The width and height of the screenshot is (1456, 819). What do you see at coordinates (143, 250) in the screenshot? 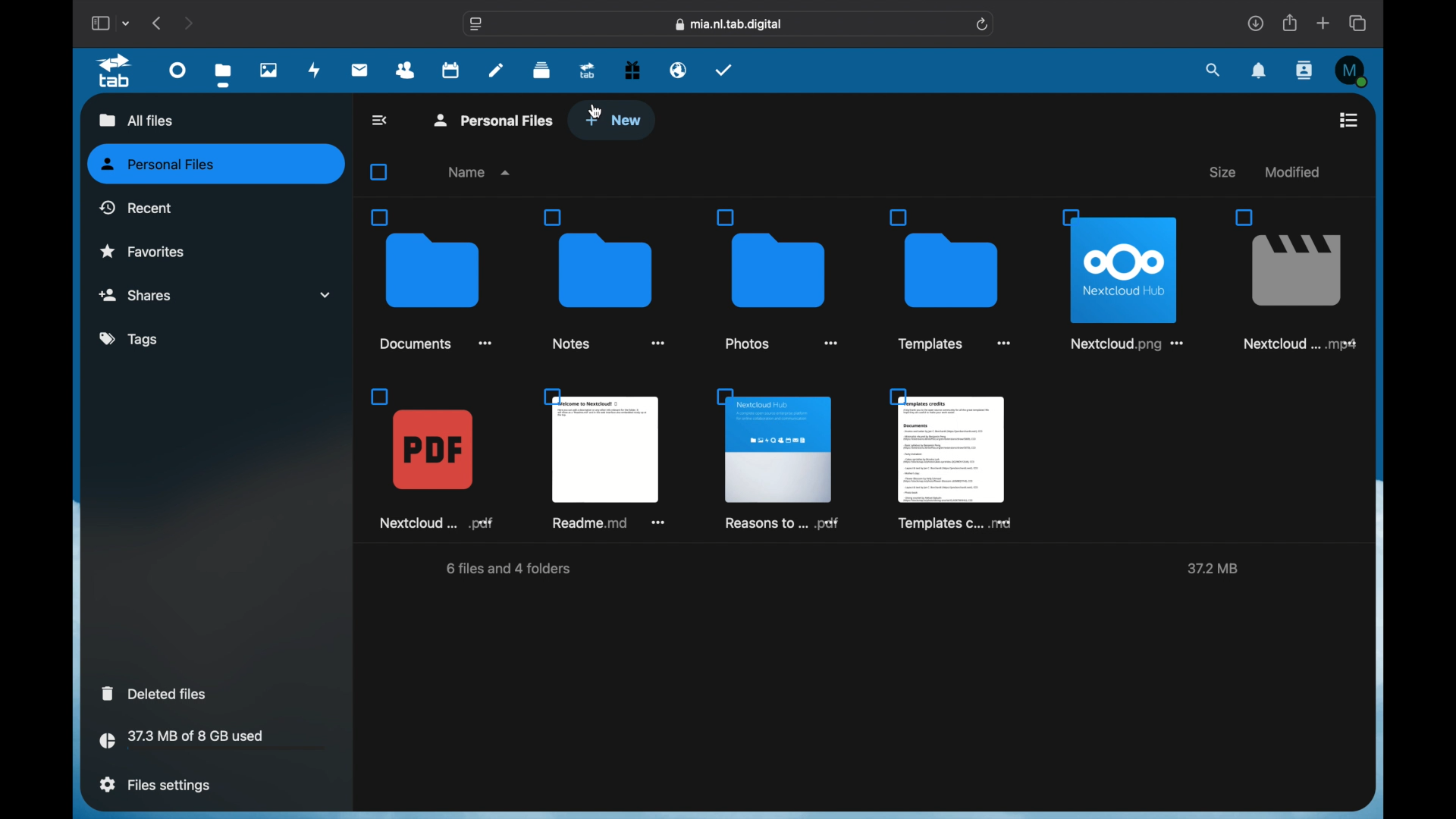
I see `favorites` at bounding box center [143, 250].